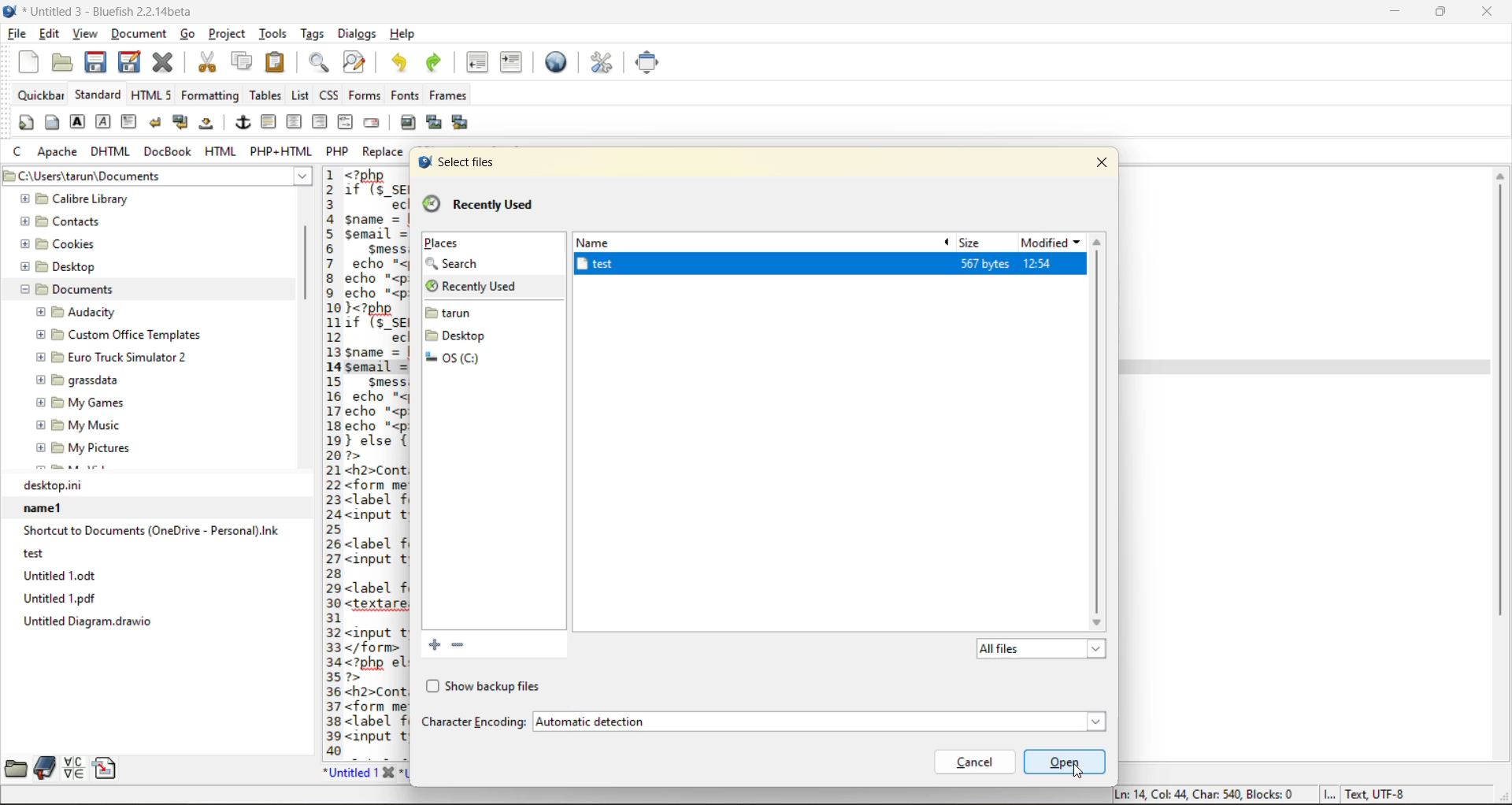 This screenshot has height=805, width=1512. I want to click on close, so click(1492, 13).